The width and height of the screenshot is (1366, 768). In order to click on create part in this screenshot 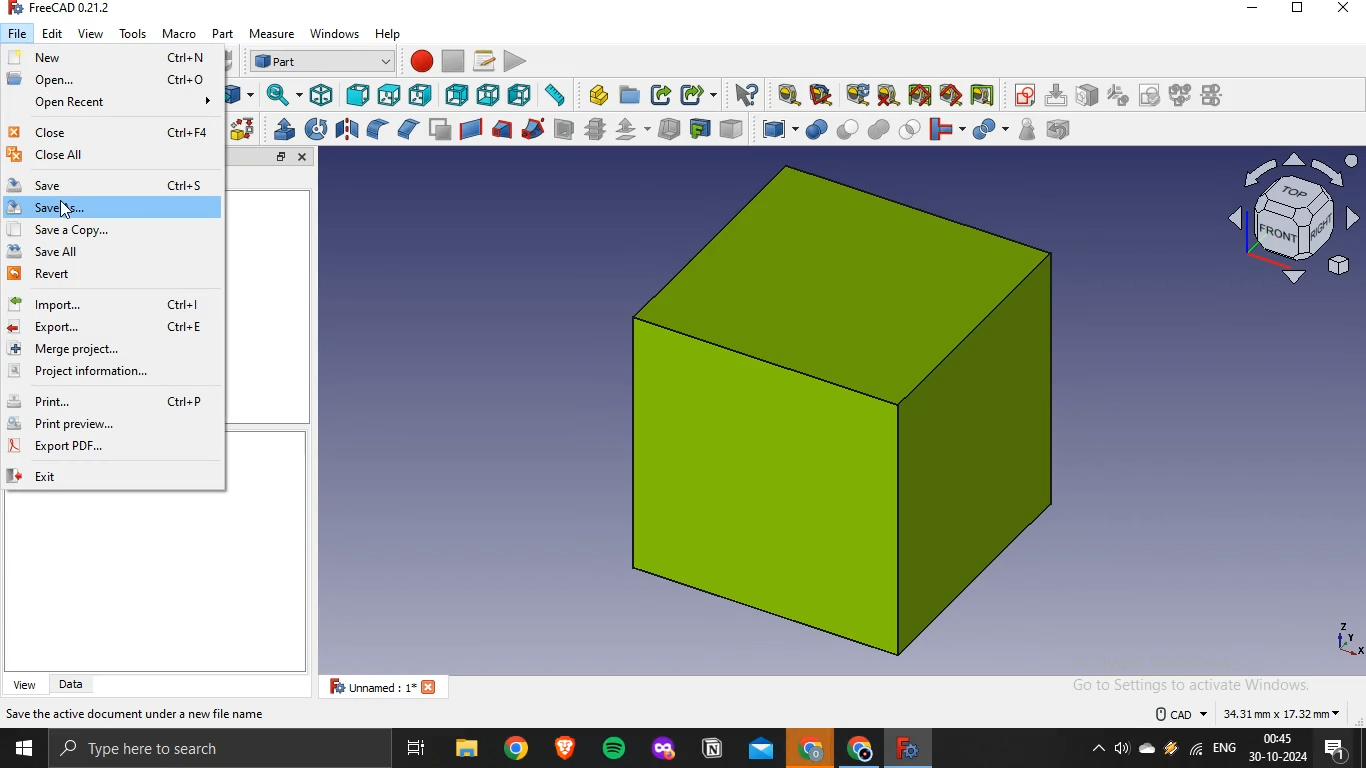, I will do `click(596, 94)`.